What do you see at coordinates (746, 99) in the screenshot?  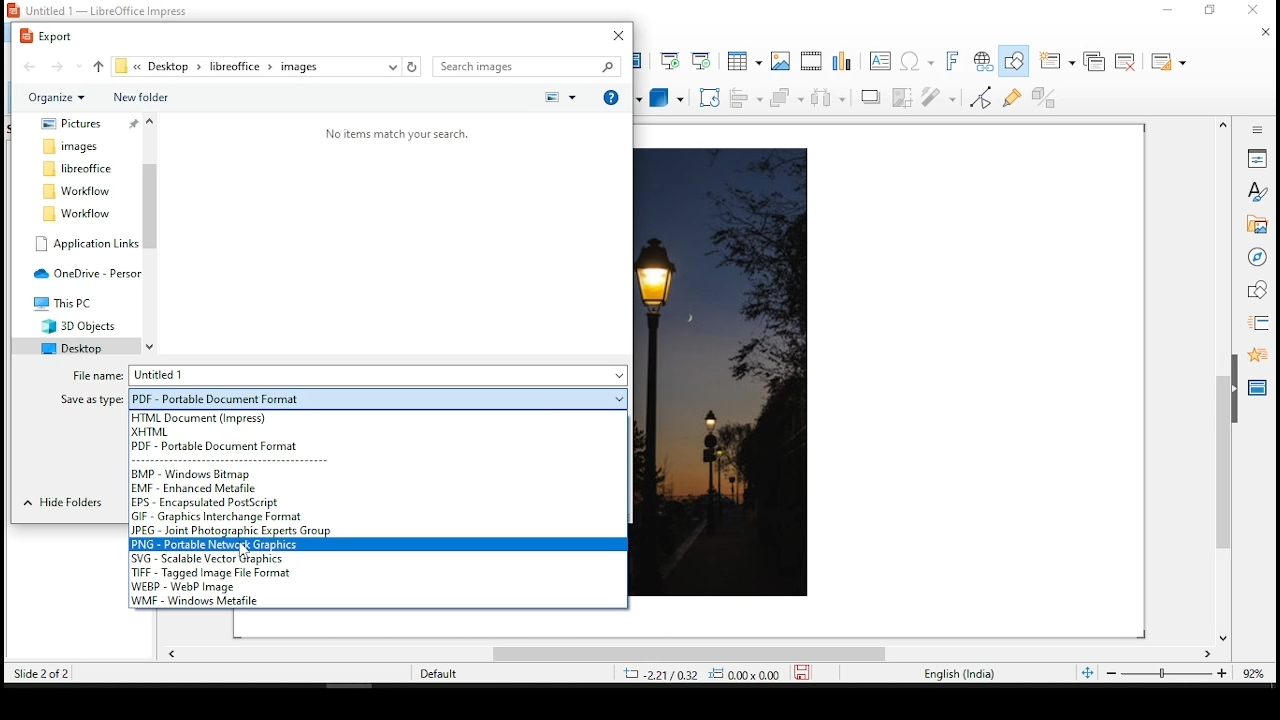 I see `align objects` at bounding box center [746, 99].